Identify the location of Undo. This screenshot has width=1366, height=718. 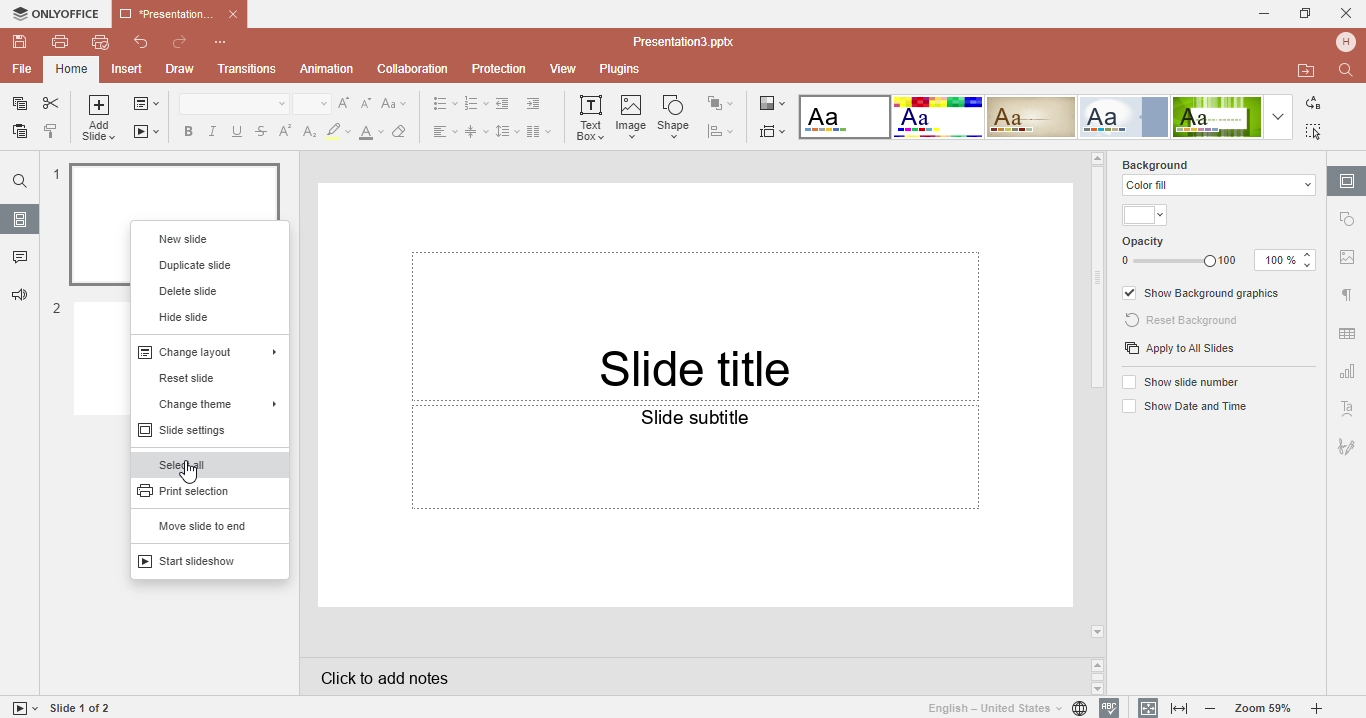
(134, 44).